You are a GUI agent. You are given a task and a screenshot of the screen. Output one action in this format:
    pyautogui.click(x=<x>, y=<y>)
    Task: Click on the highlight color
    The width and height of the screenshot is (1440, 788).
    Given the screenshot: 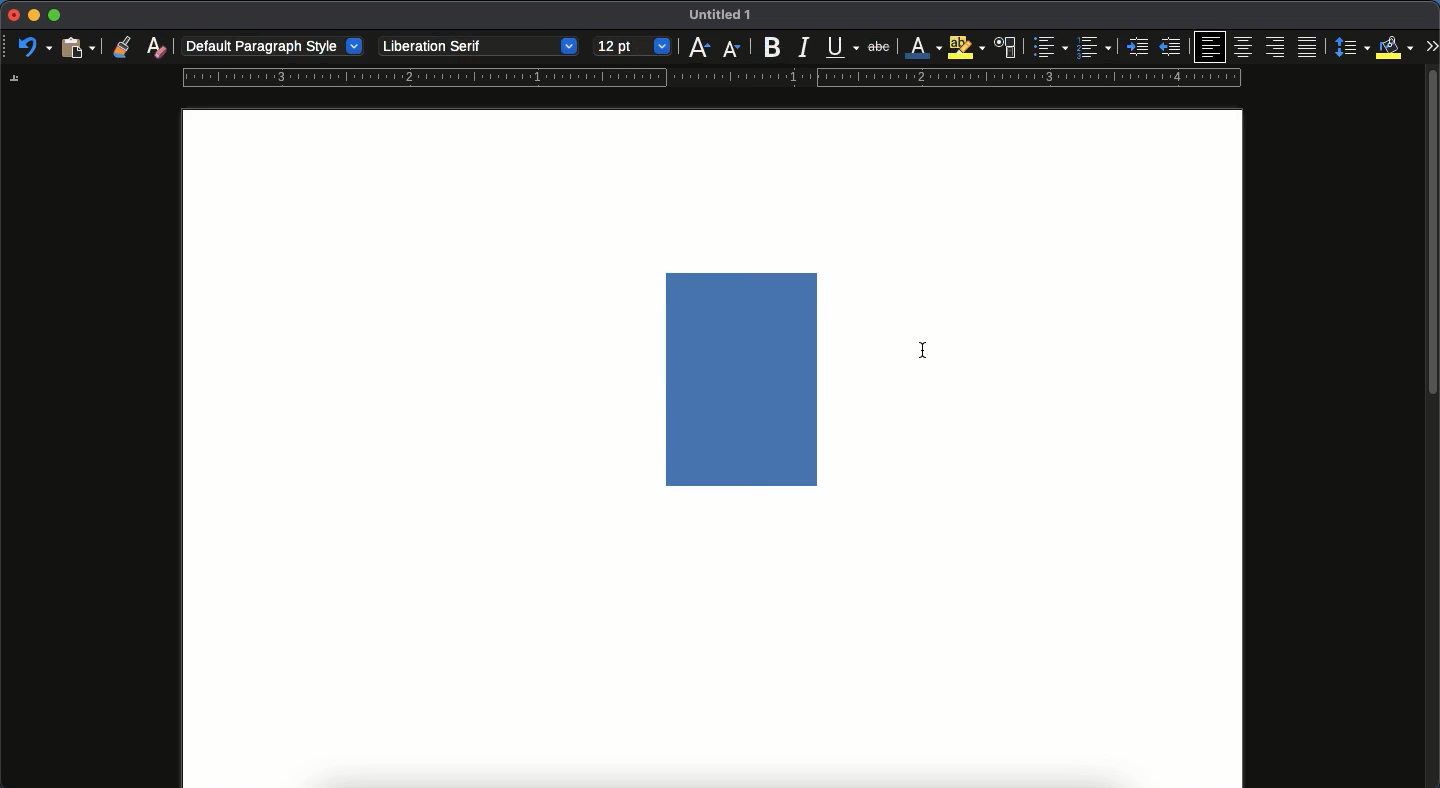 What is the action you would take?
    pyautogui.click(x=964, y=47)
    